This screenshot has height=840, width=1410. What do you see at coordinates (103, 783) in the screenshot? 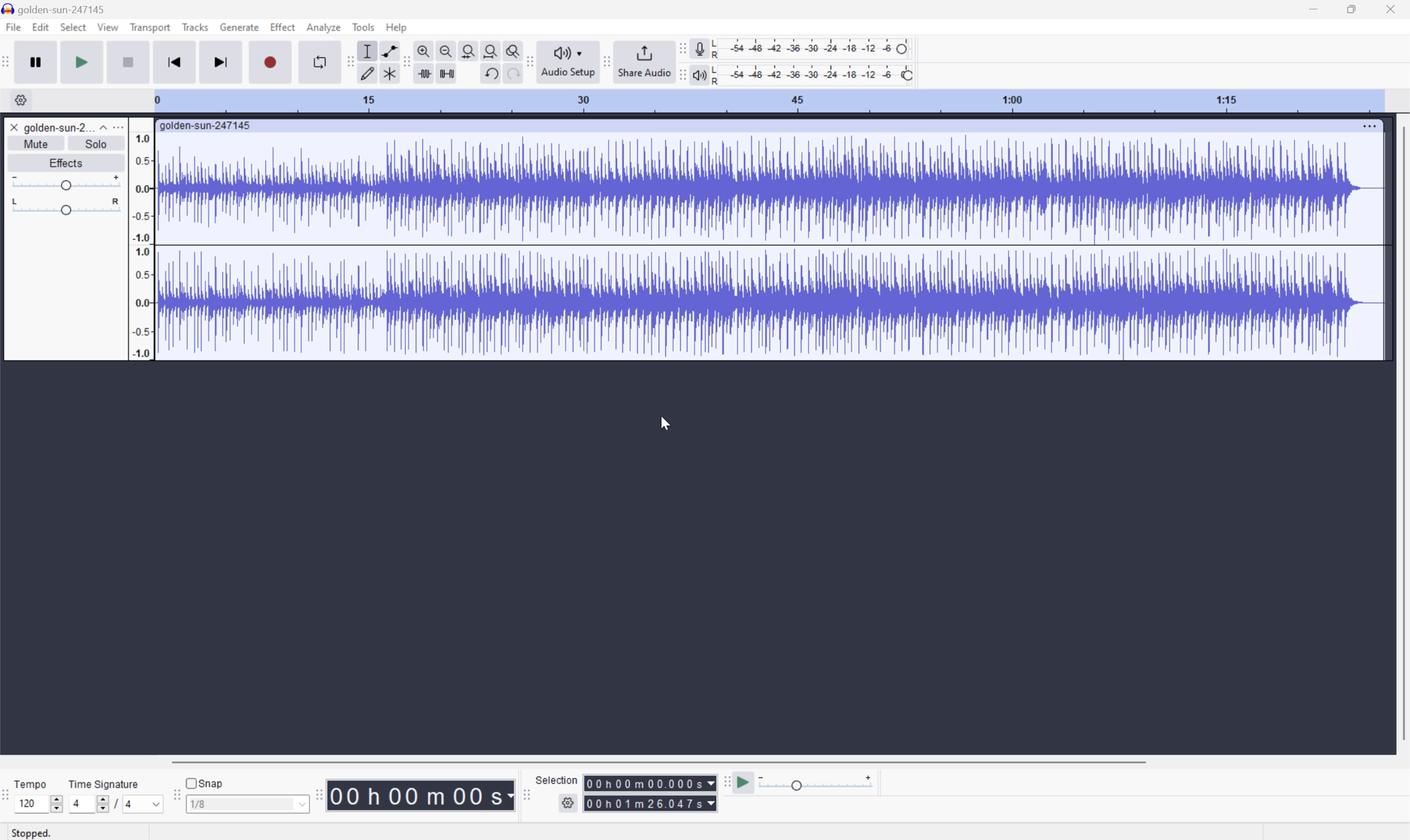
I see `Time signature` at bounding box center [103, 783].